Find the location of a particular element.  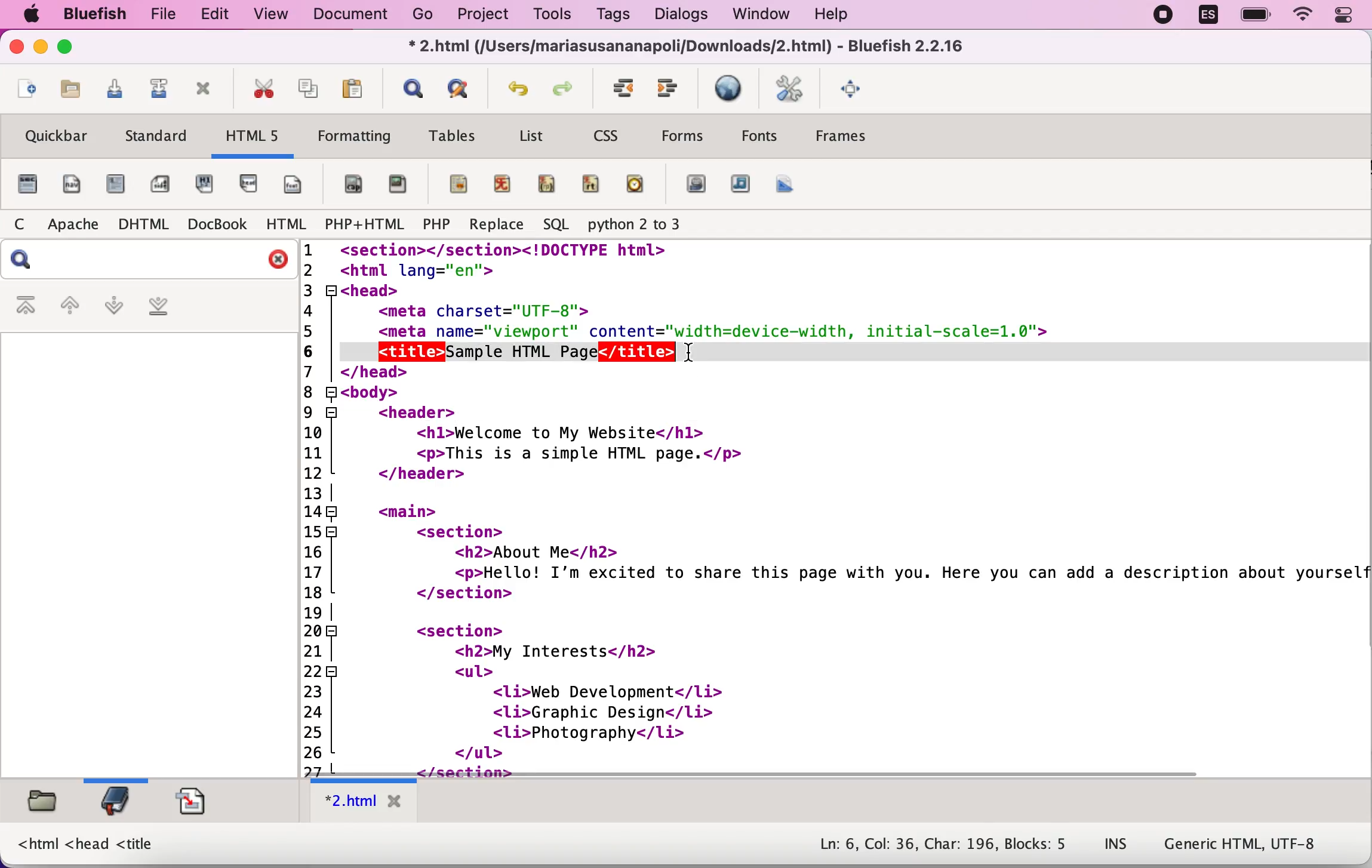

save as is located at coordinates (161, 87).